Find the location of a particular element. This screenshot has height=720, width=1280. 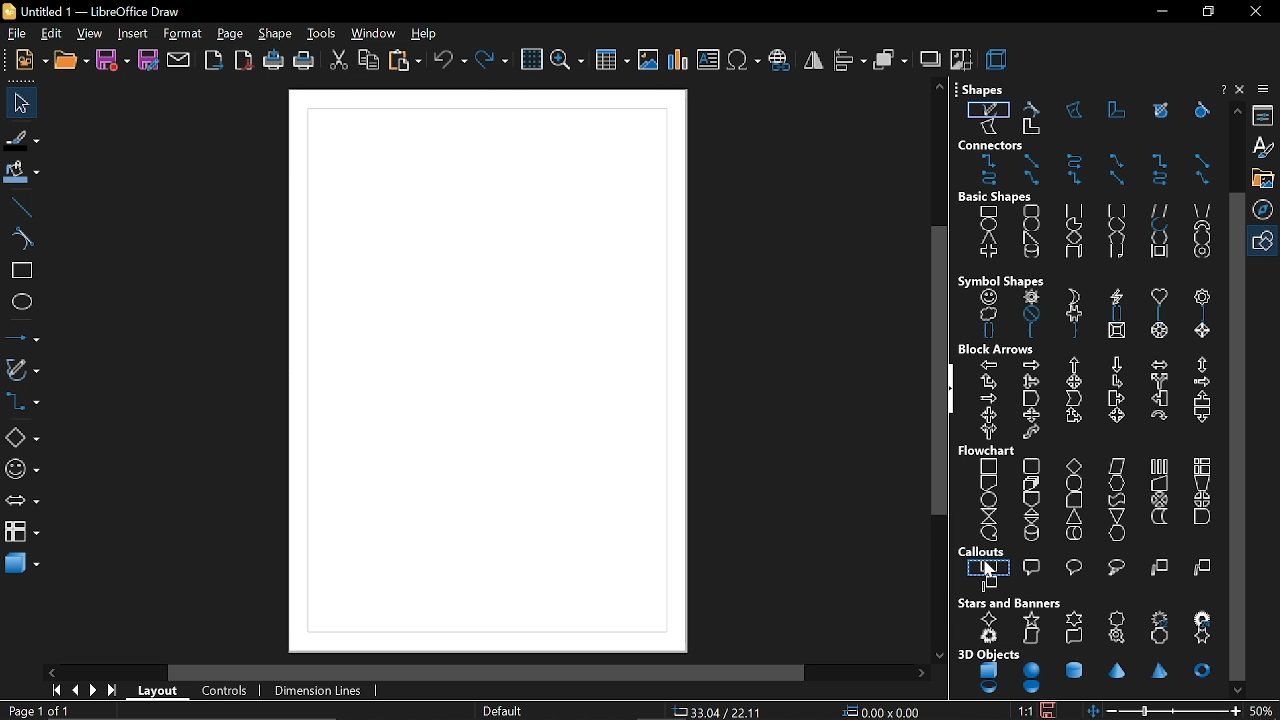

export as pdf is located at coordinates (245, 61).